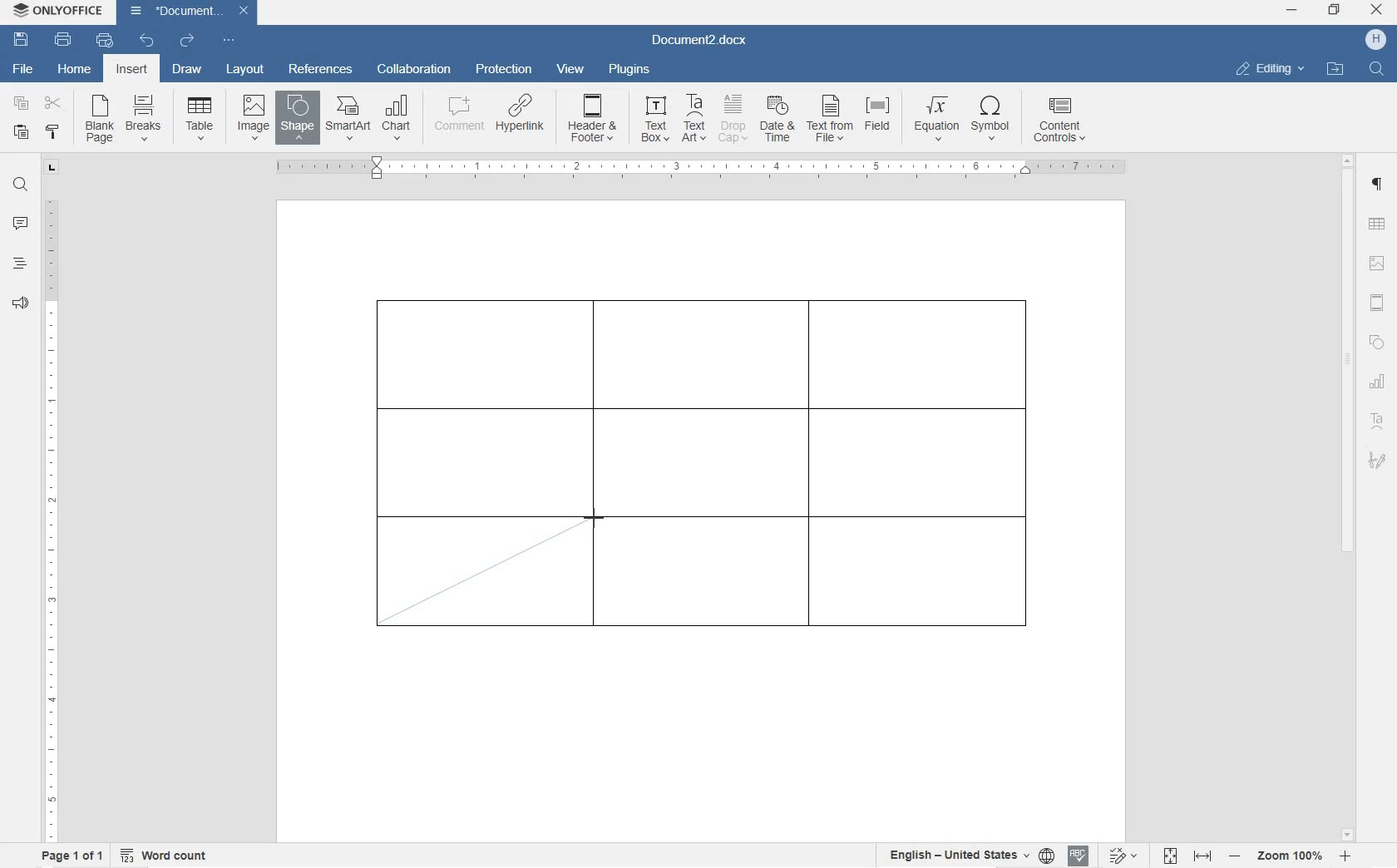 The image size is (1397, 868). Describe the element at coordinates (1380, 381) in the screenshot. I see `chart` at that location.